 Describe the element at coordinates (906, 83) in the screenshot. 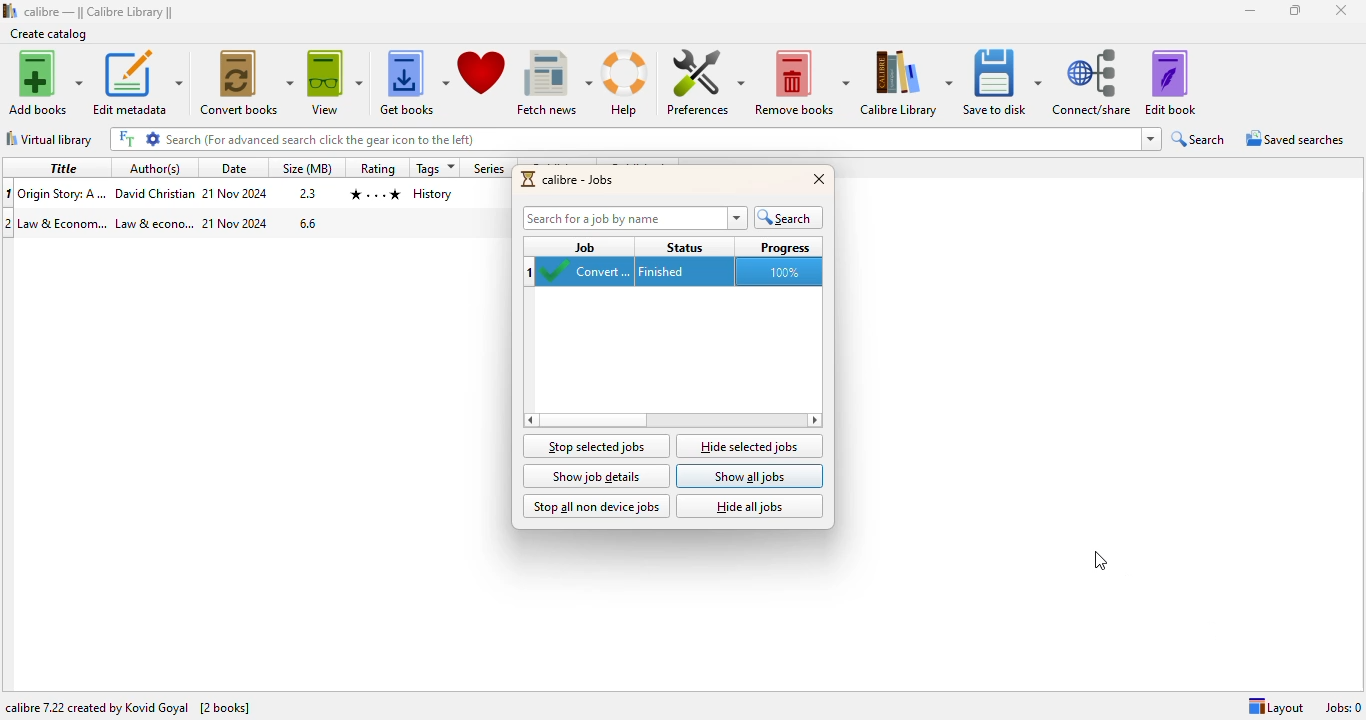

I see `calibre library` at that location.